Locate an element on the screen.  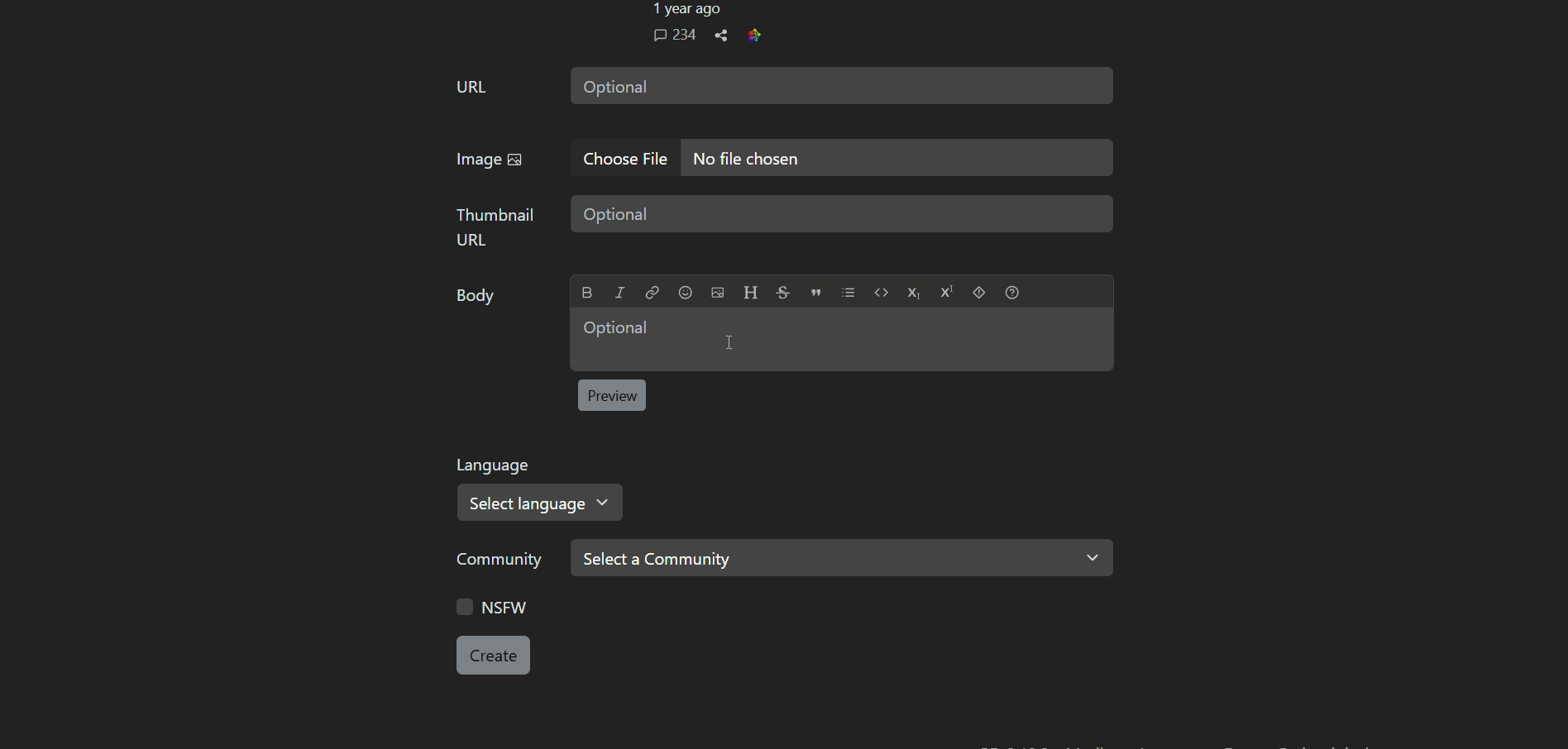
text box is located at coordinates (842, 84).